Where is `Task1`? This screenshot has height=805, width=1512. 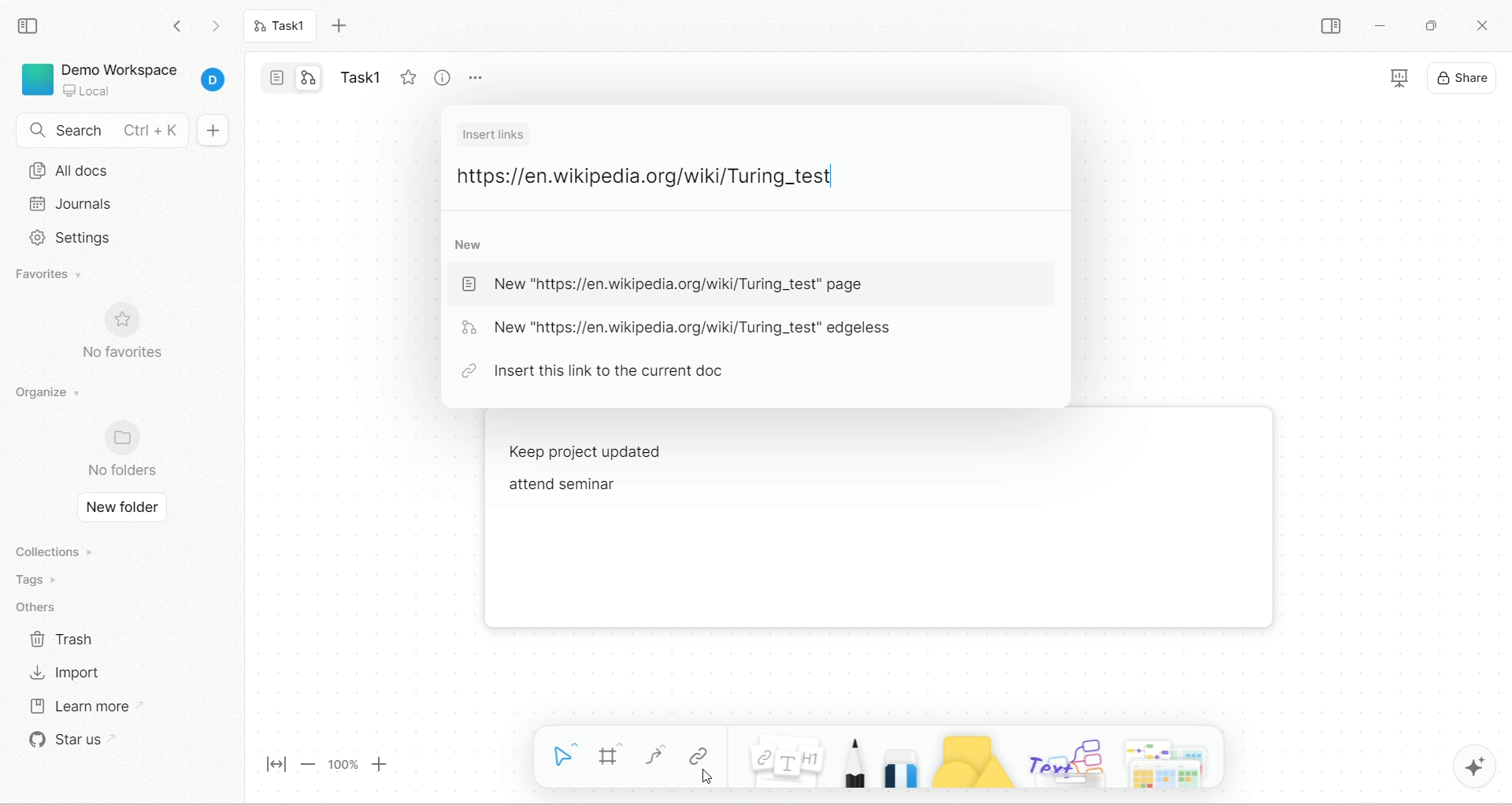 Task1 is located at coordinates (285, 28).